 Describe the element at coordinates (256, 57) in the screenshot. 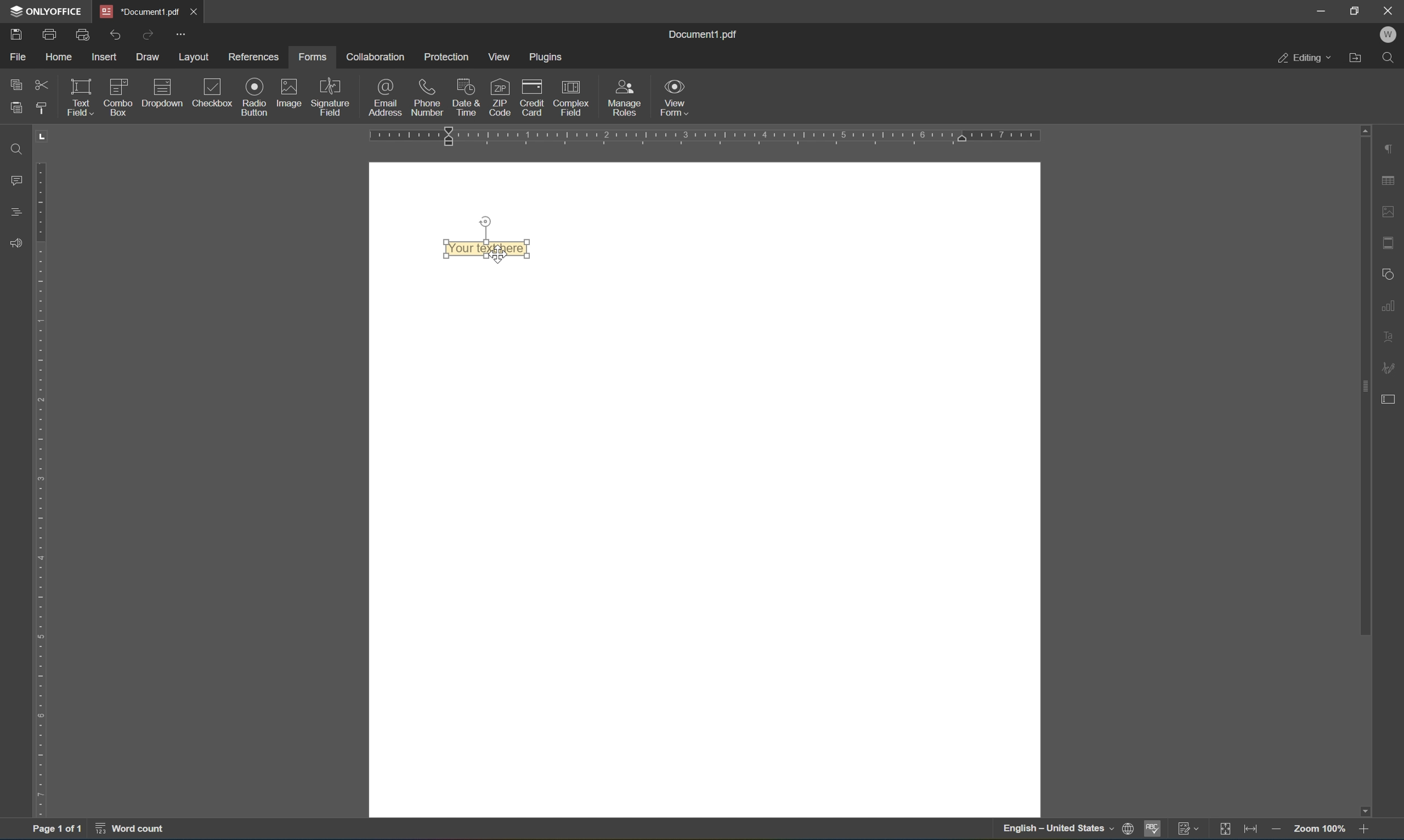

I see `references` at that location.